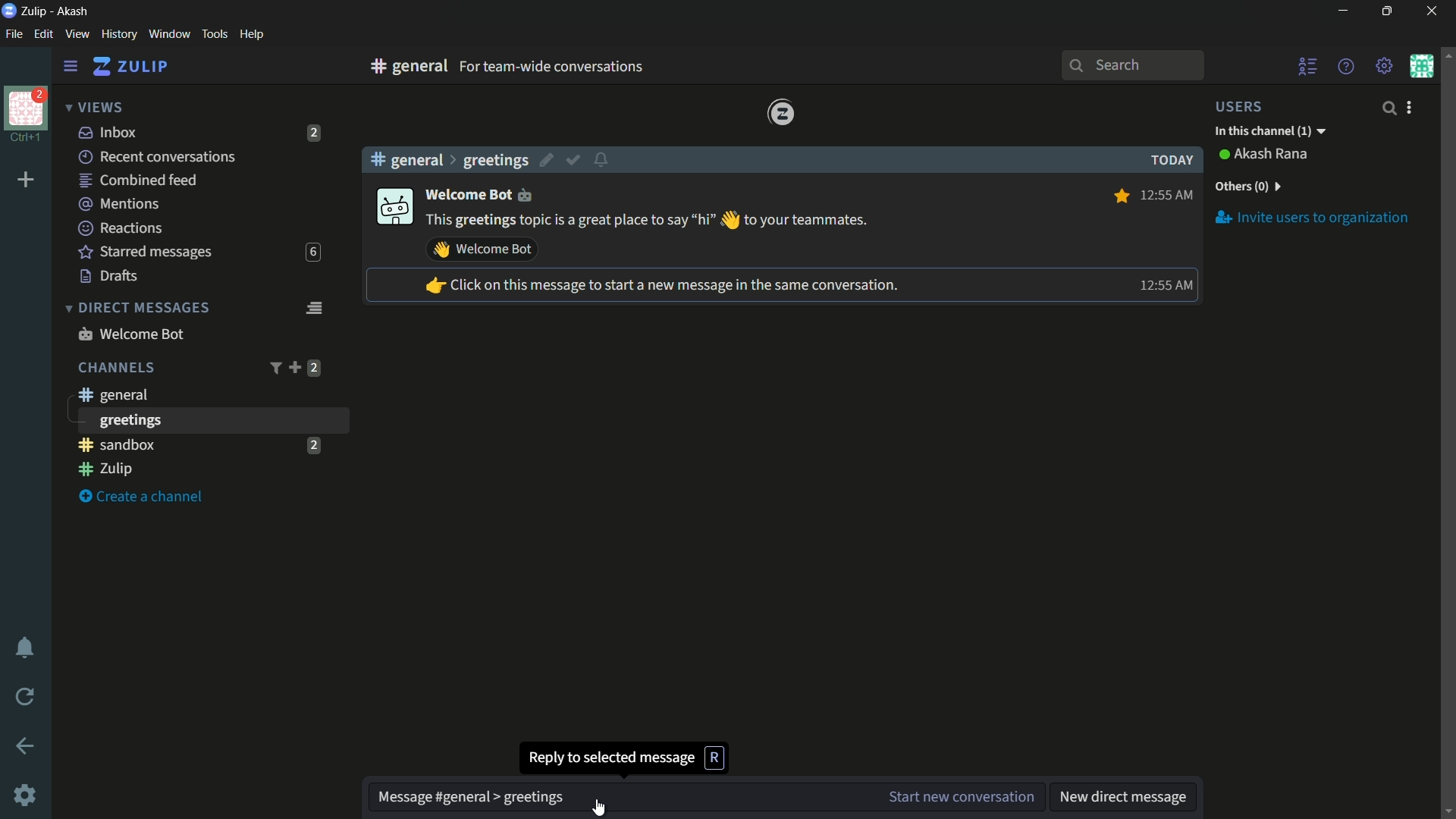 The width and height of the screenshot is (1456, 819). I want to click on file menu, so click(14, 35).